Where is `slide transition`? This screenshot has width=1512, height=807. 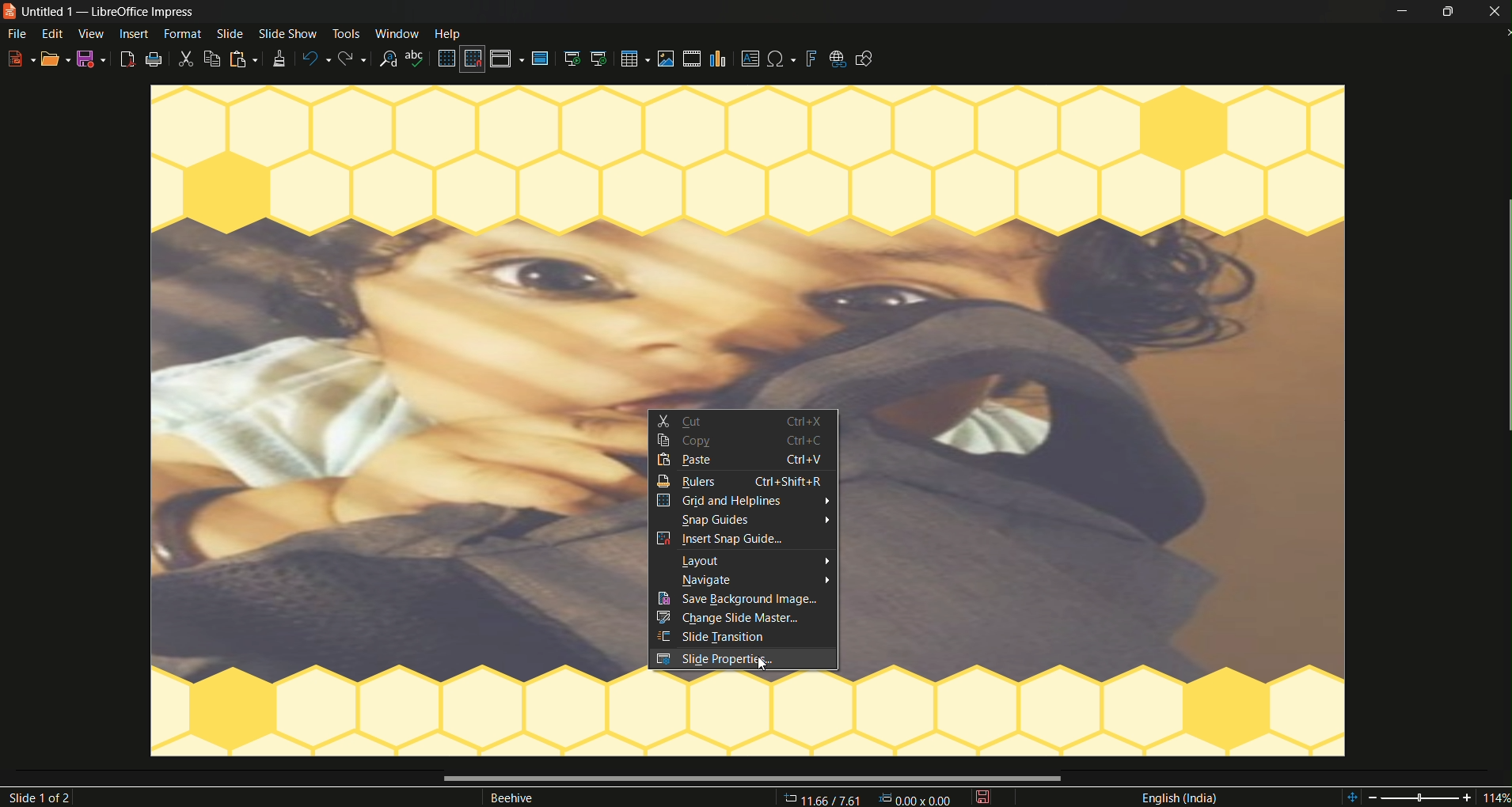 slide transition is located at coordinates (716, 635).